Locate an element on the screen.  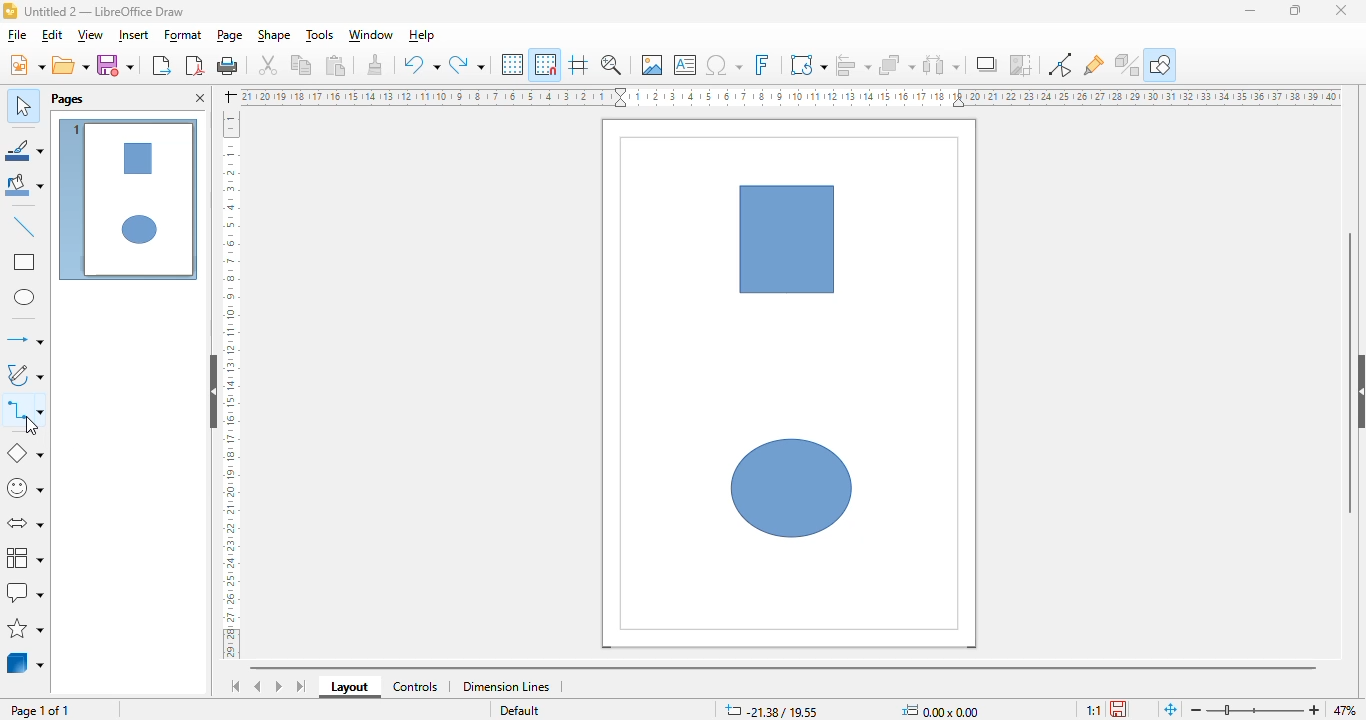
zoom out is located at coordinates (1198, 710).